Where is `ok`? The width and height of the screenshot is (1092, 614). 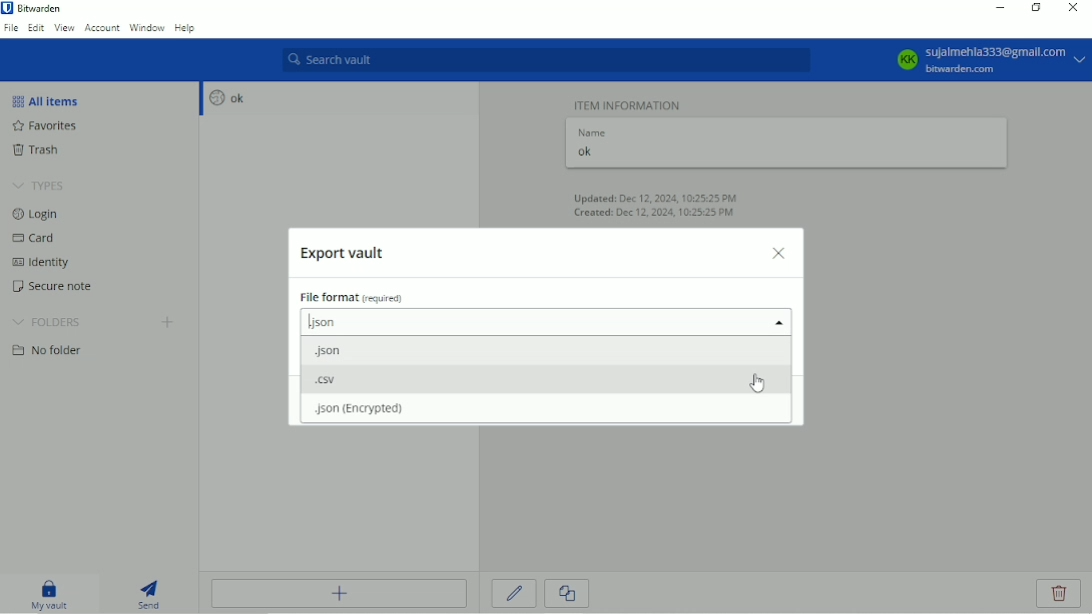
ok is located at coordinates (224, 98).